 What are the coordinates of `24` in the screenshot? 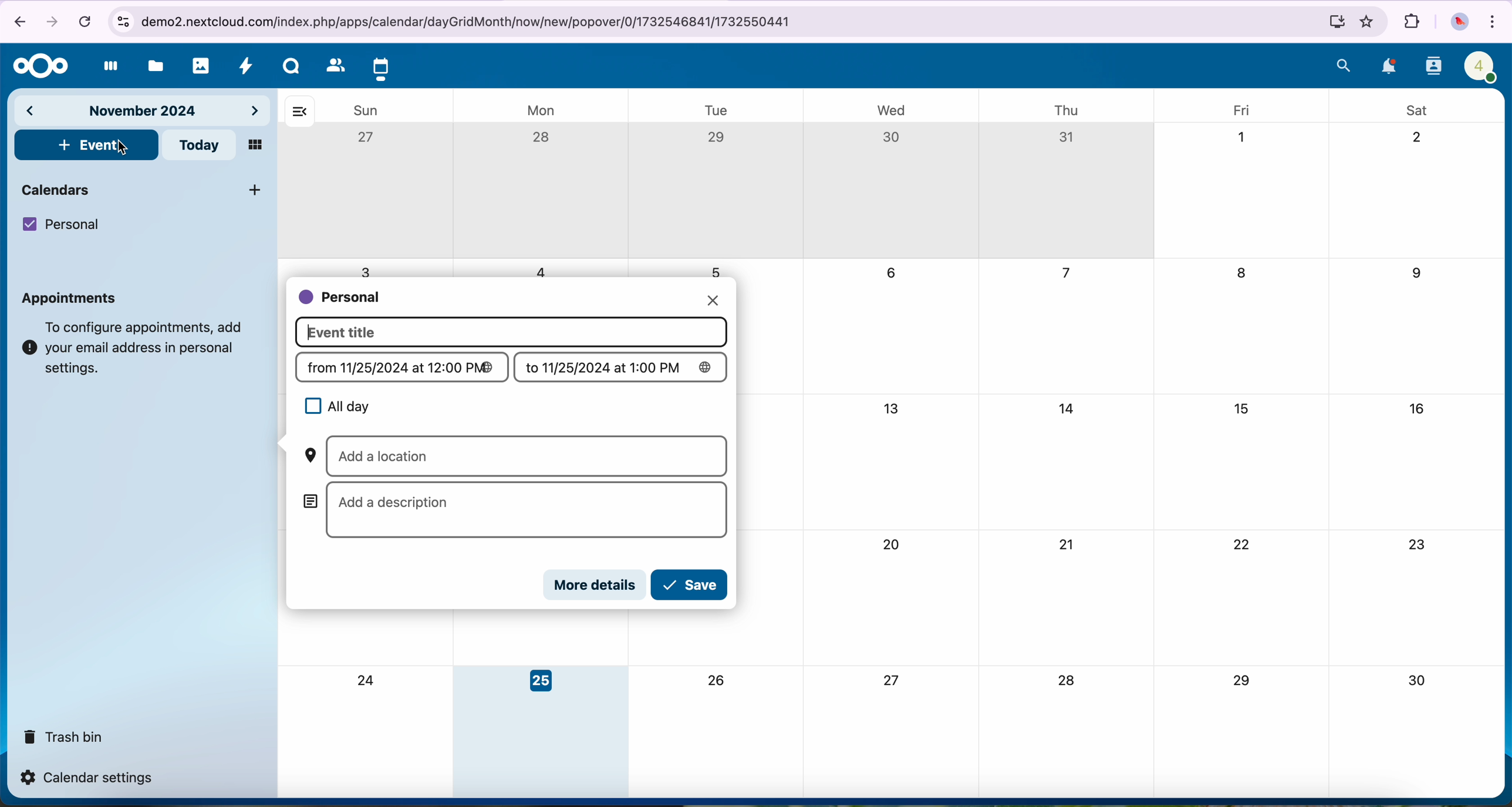 It's located at (369, 681).